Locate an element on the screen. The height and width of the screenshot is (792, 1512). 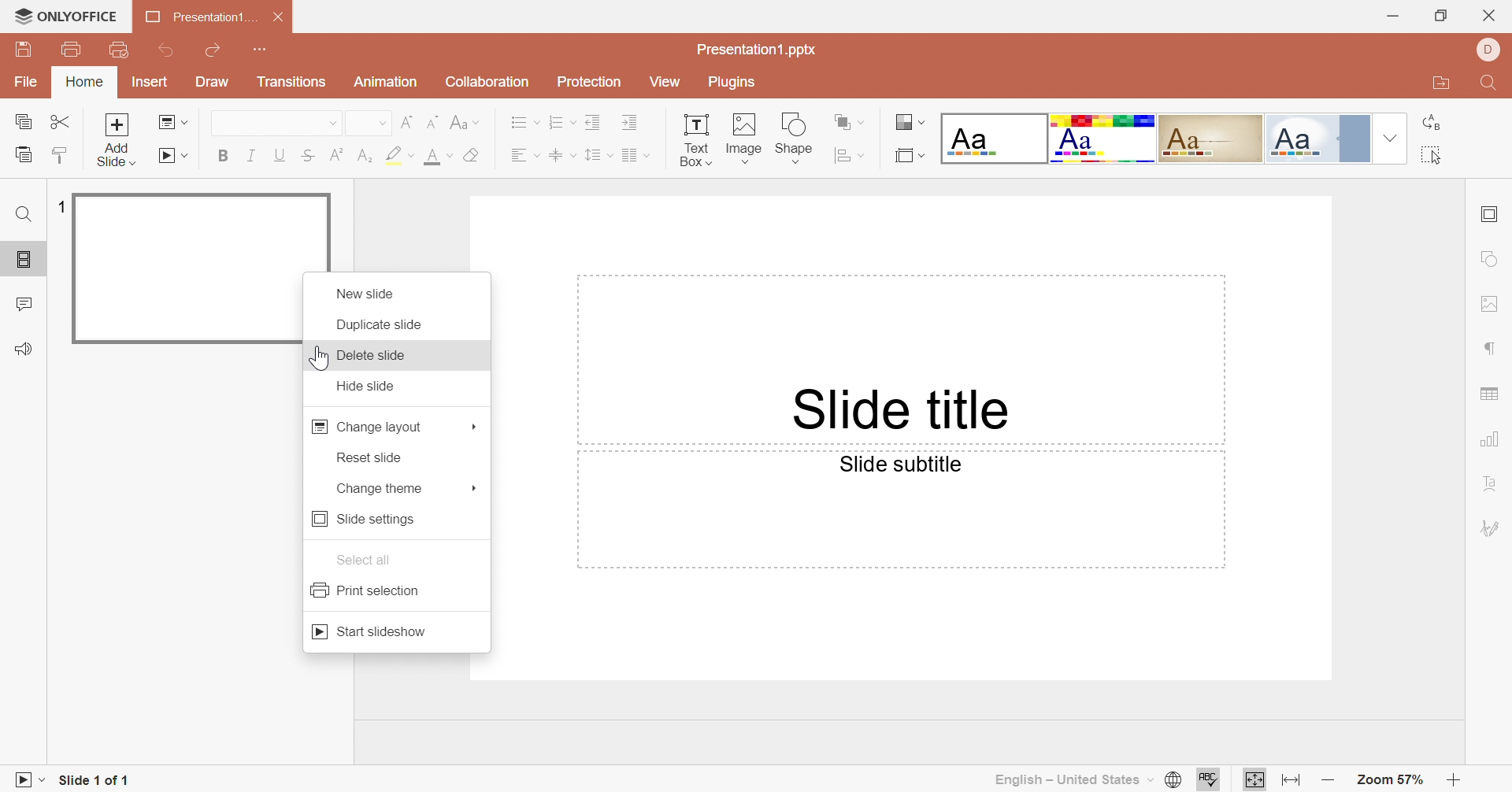
ONLYOFFICE is located at coordinates (66, 16).